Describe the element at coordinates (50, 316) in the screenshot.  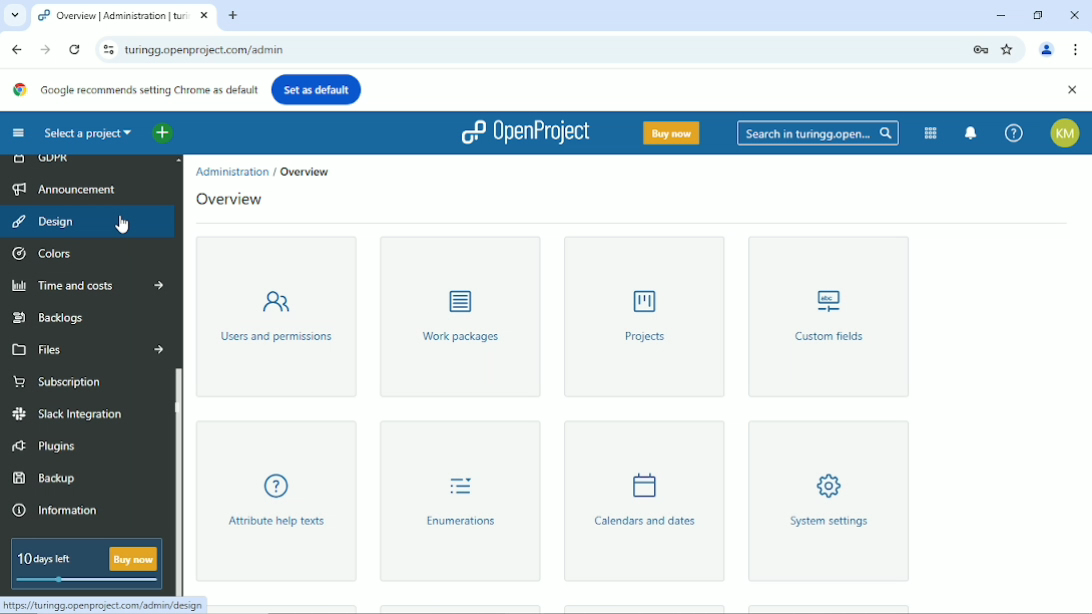
I see `Backlogs` at that location.